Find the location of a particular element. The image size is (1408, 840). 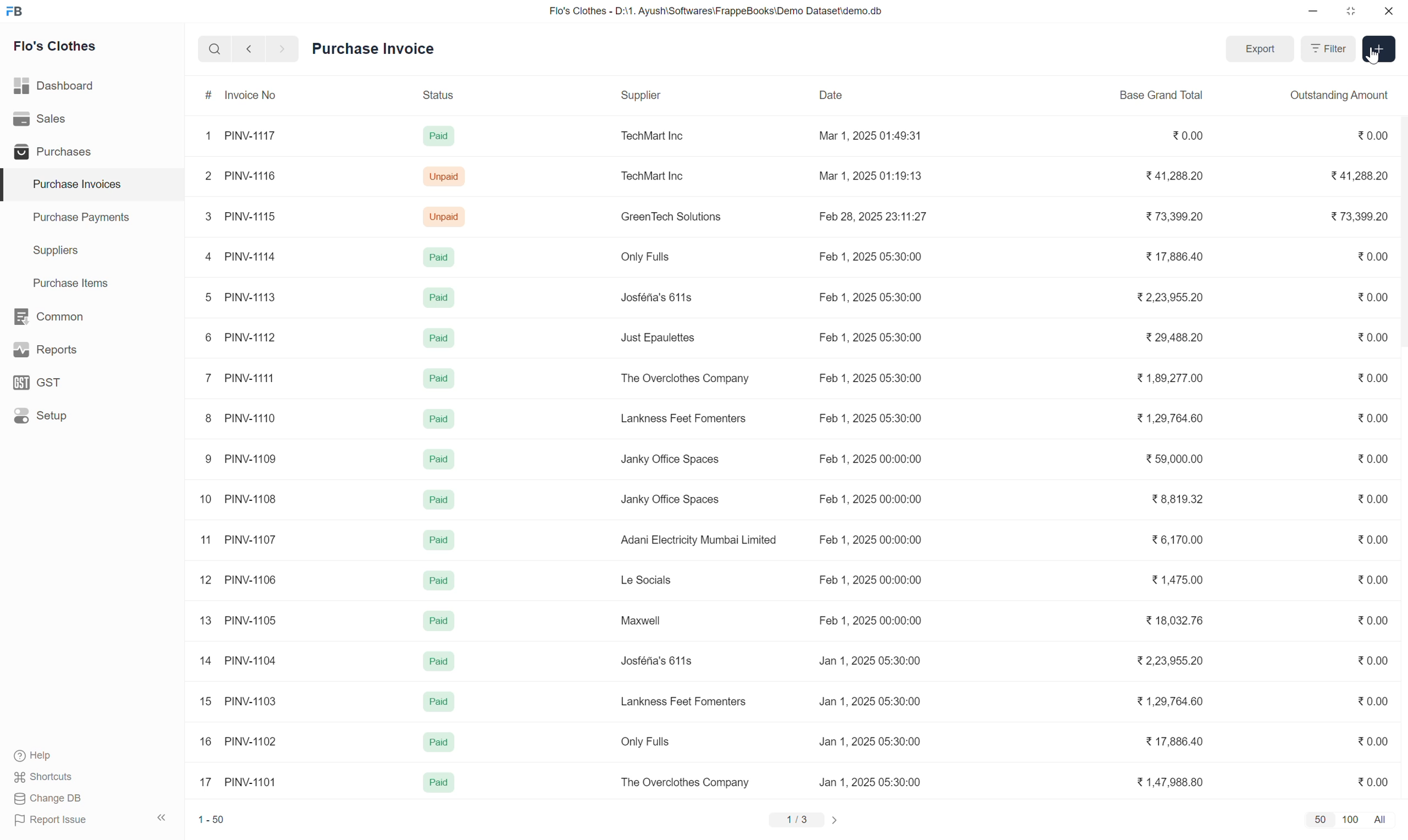

29,488.20 is located at coordinates (1174, 337).